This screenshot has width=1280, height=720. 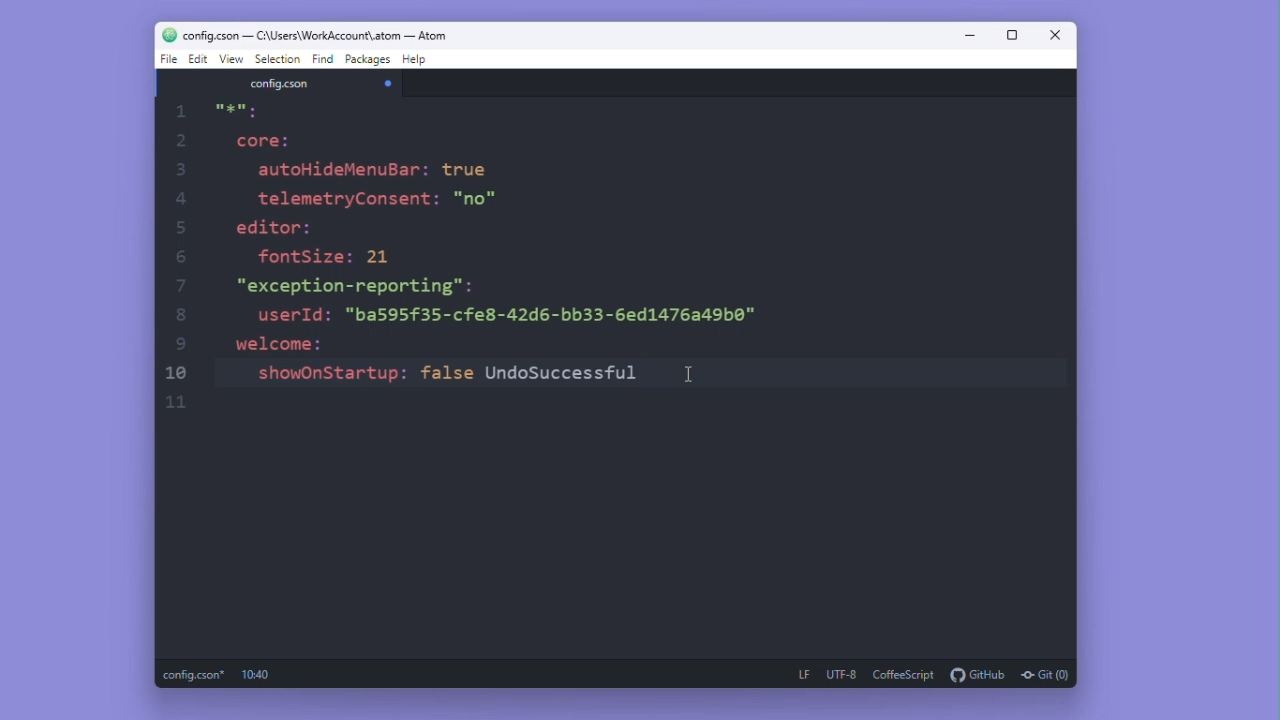 What do you see at coordinates (192, 674) in the screenshot?
I see `config.cson` at bounding box center [192, 674].